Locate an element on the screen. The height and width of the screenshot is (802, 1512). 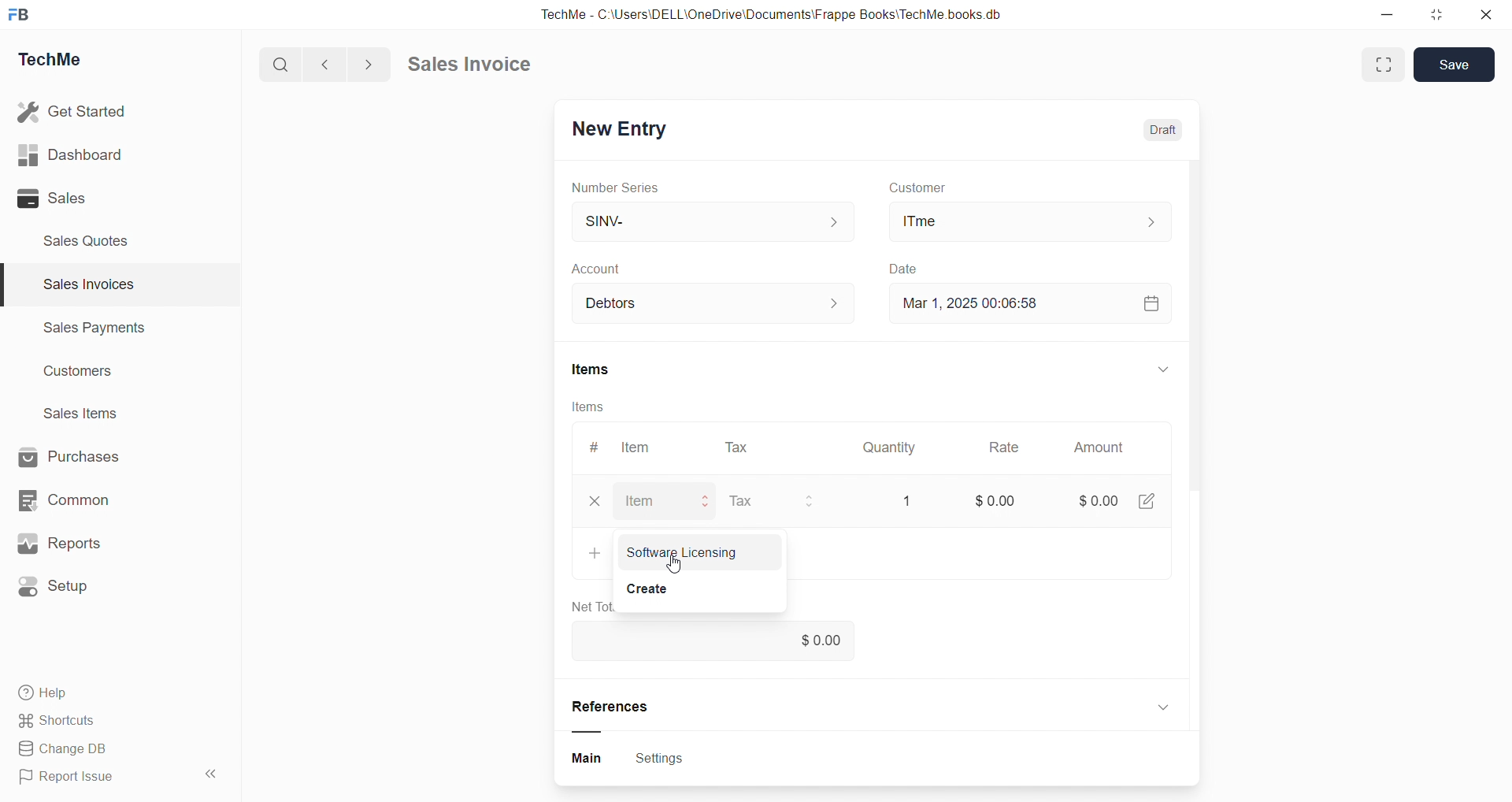
Customer is located at coordinates (939, 188).